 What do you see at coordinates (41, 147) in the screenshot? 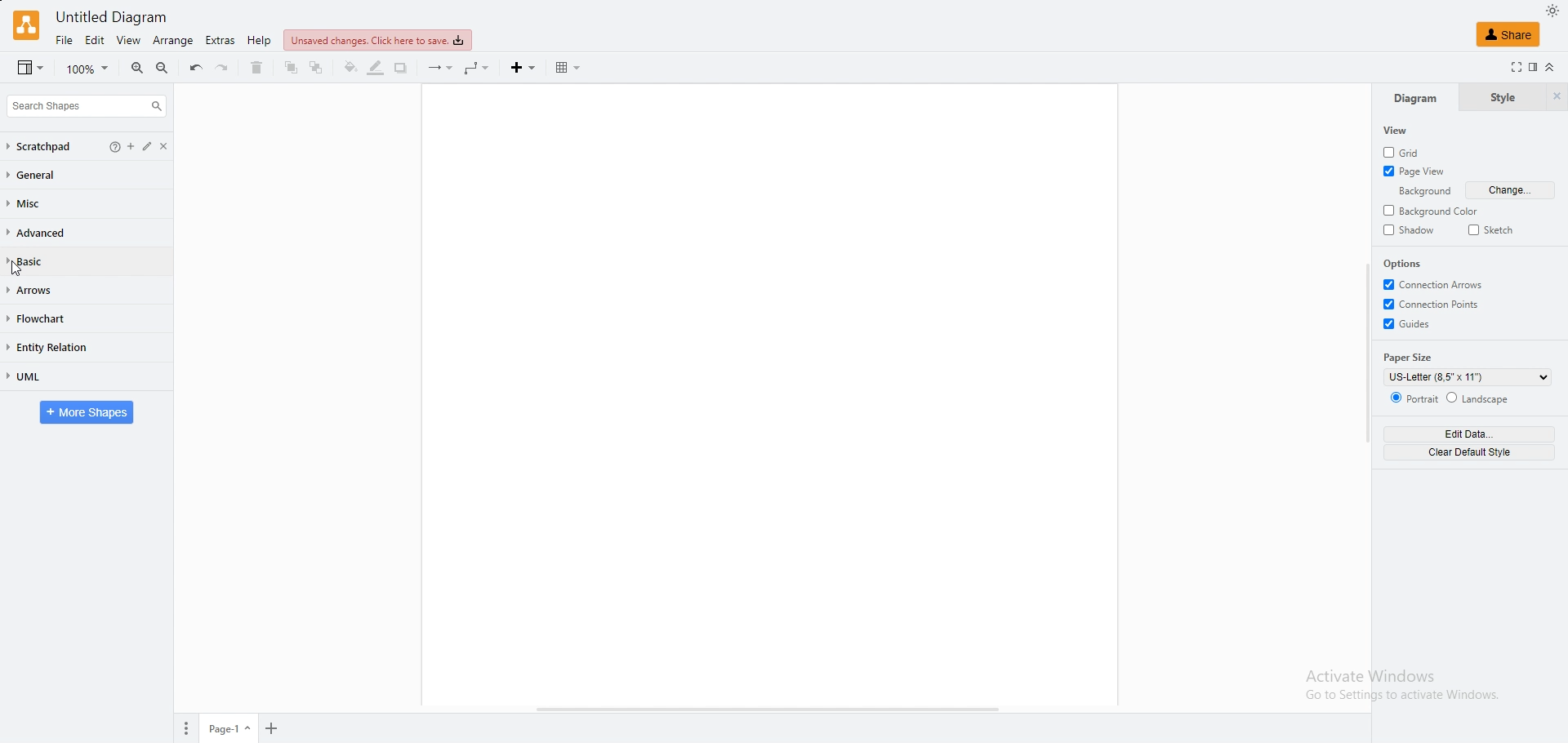
I see `scratchpad` at bounding box center [41, 147].